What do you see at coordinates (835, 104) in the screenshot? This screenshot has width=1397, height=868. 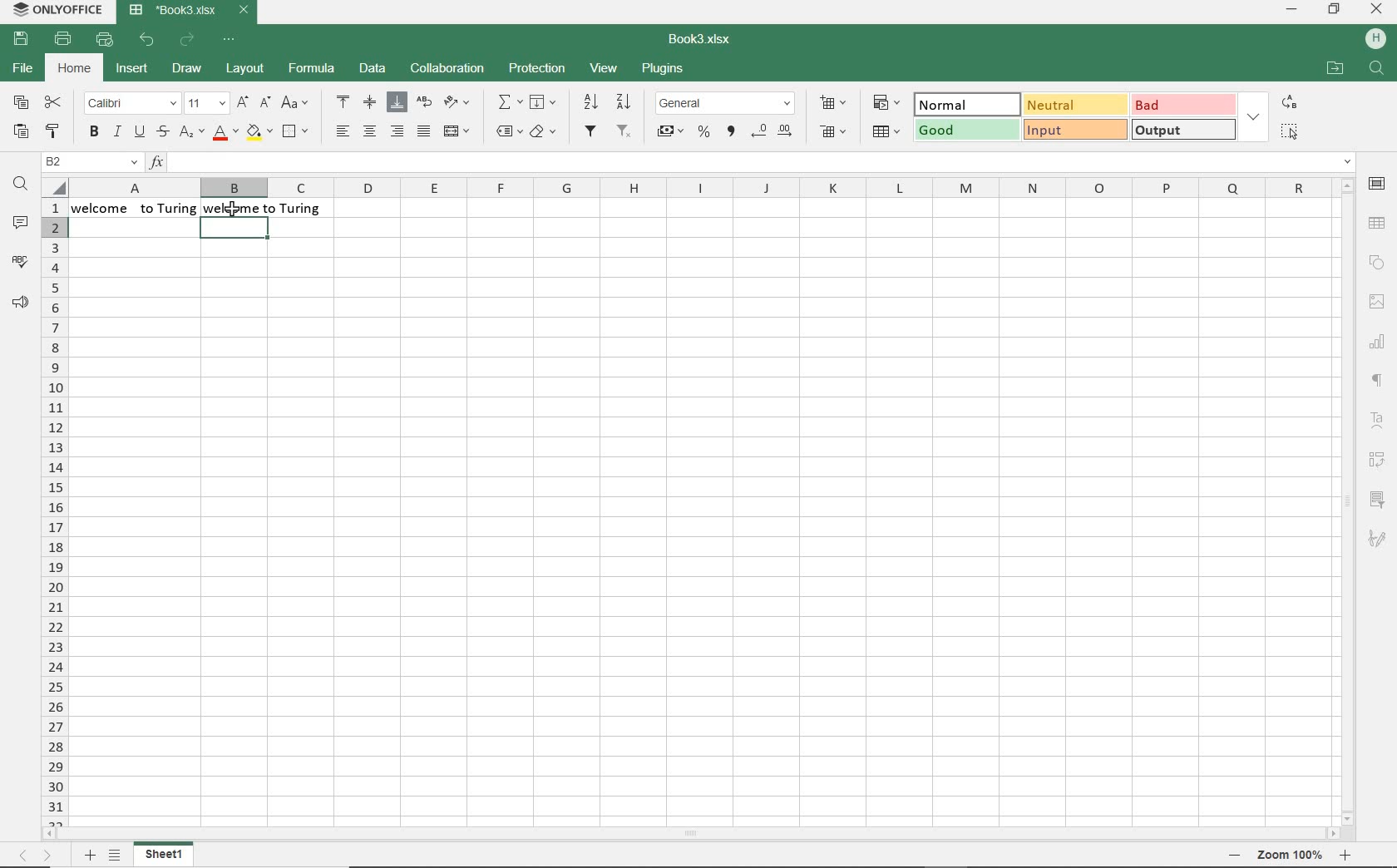 I see `insert cells` at bounding box center [835, 104].